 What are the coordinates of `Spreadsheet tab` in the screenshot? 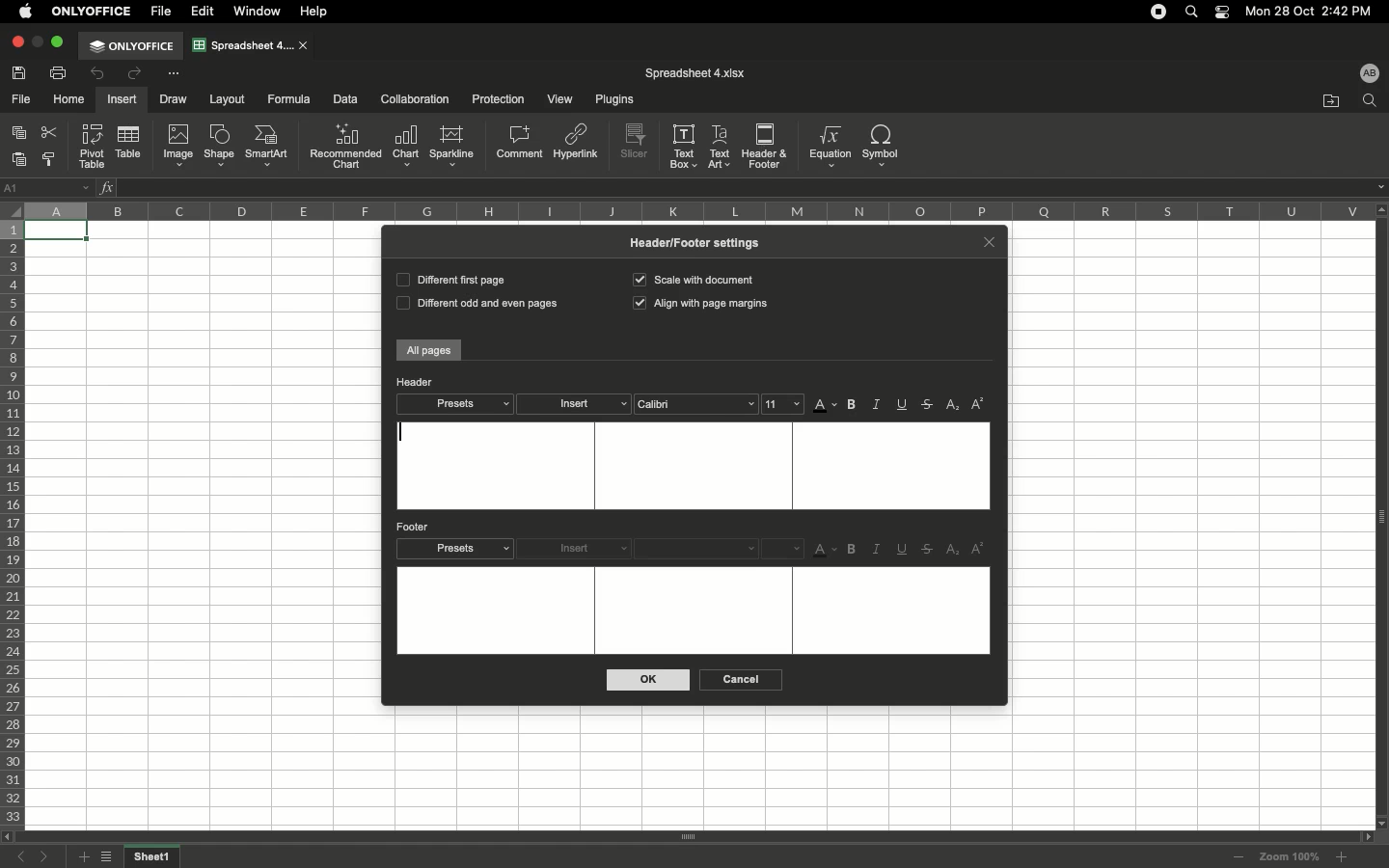 It's located at (243, 44).